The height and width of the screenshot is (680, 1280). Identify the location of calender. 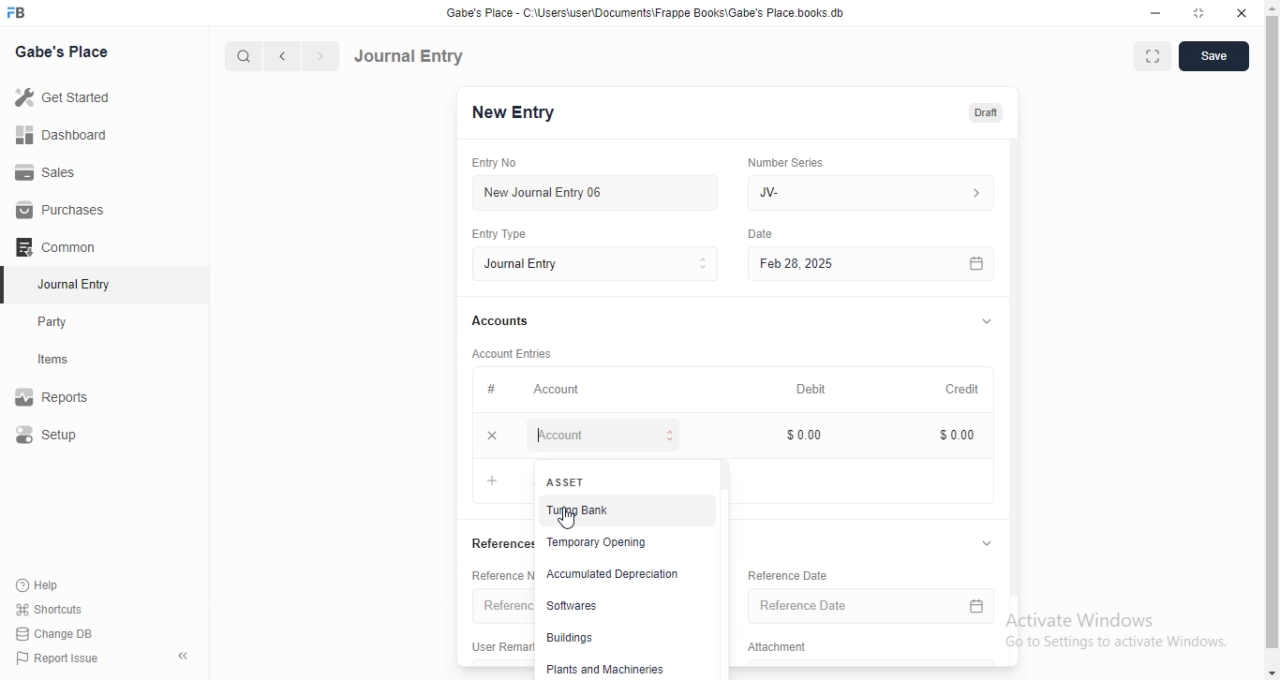
(984, 263).